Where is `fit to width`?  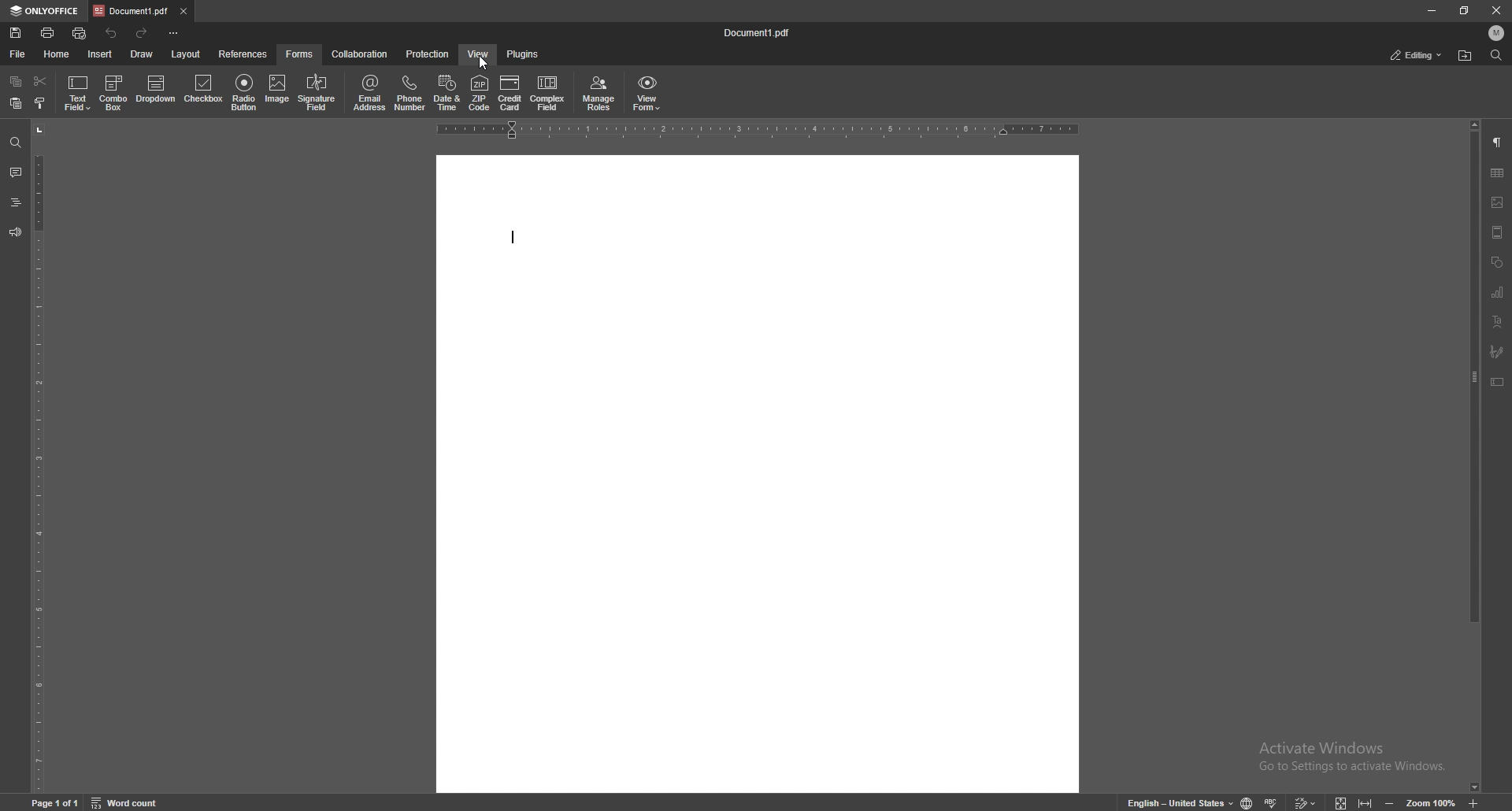 fit to width is located at coordinates (1365, 802).